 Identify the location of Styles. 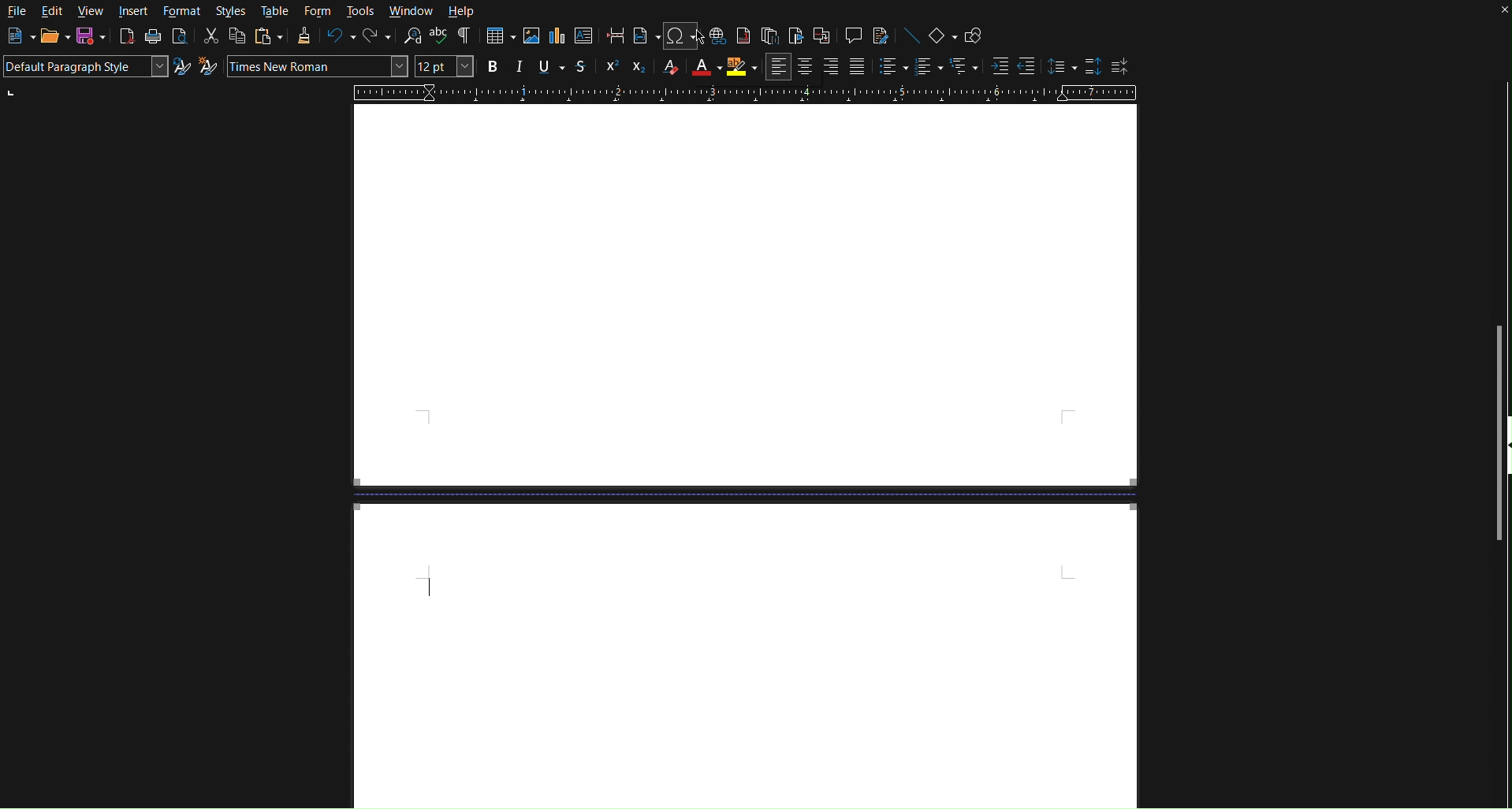
(231, 12).